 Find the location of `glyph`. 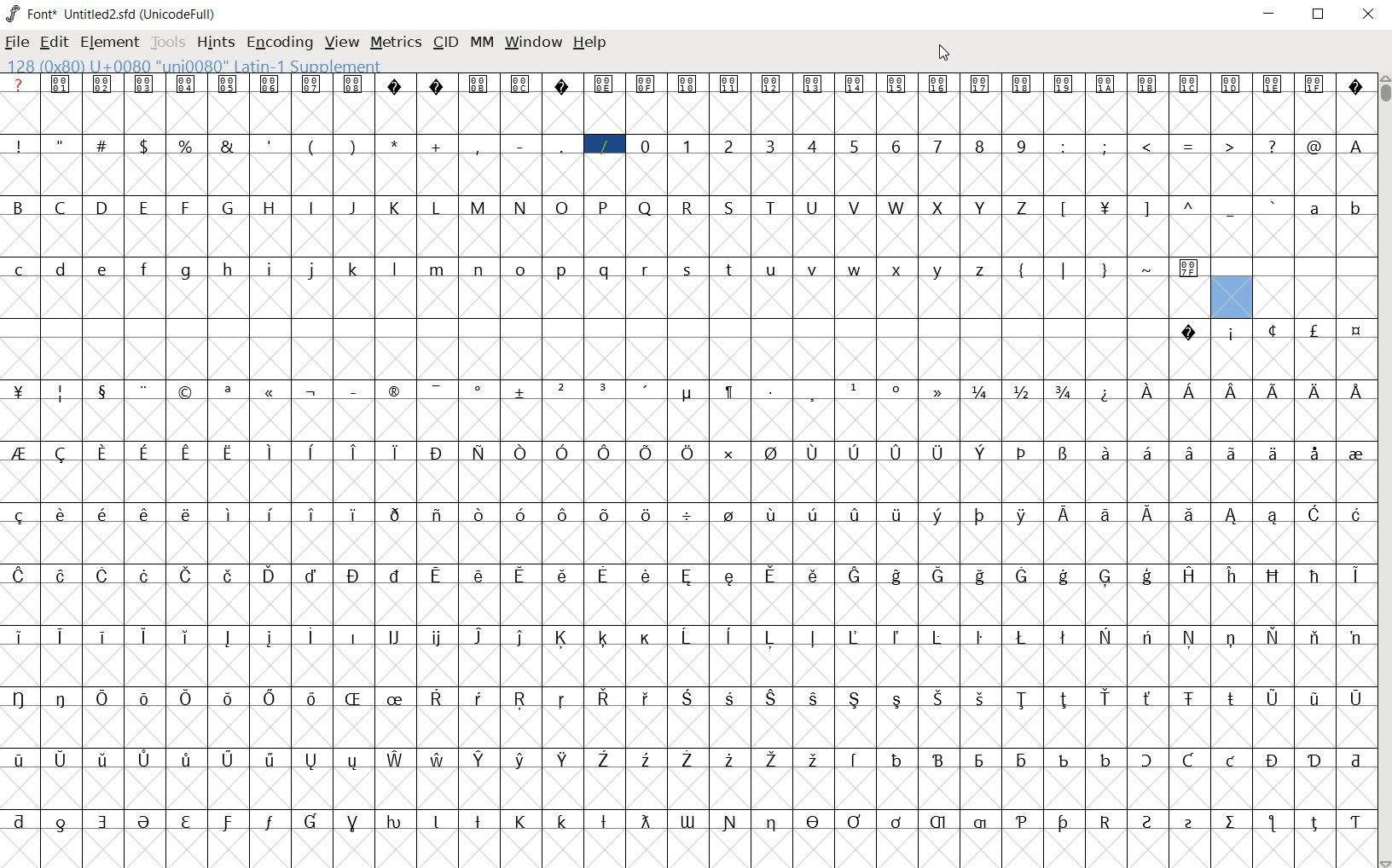

glyph is located at coordinates (604, 207).